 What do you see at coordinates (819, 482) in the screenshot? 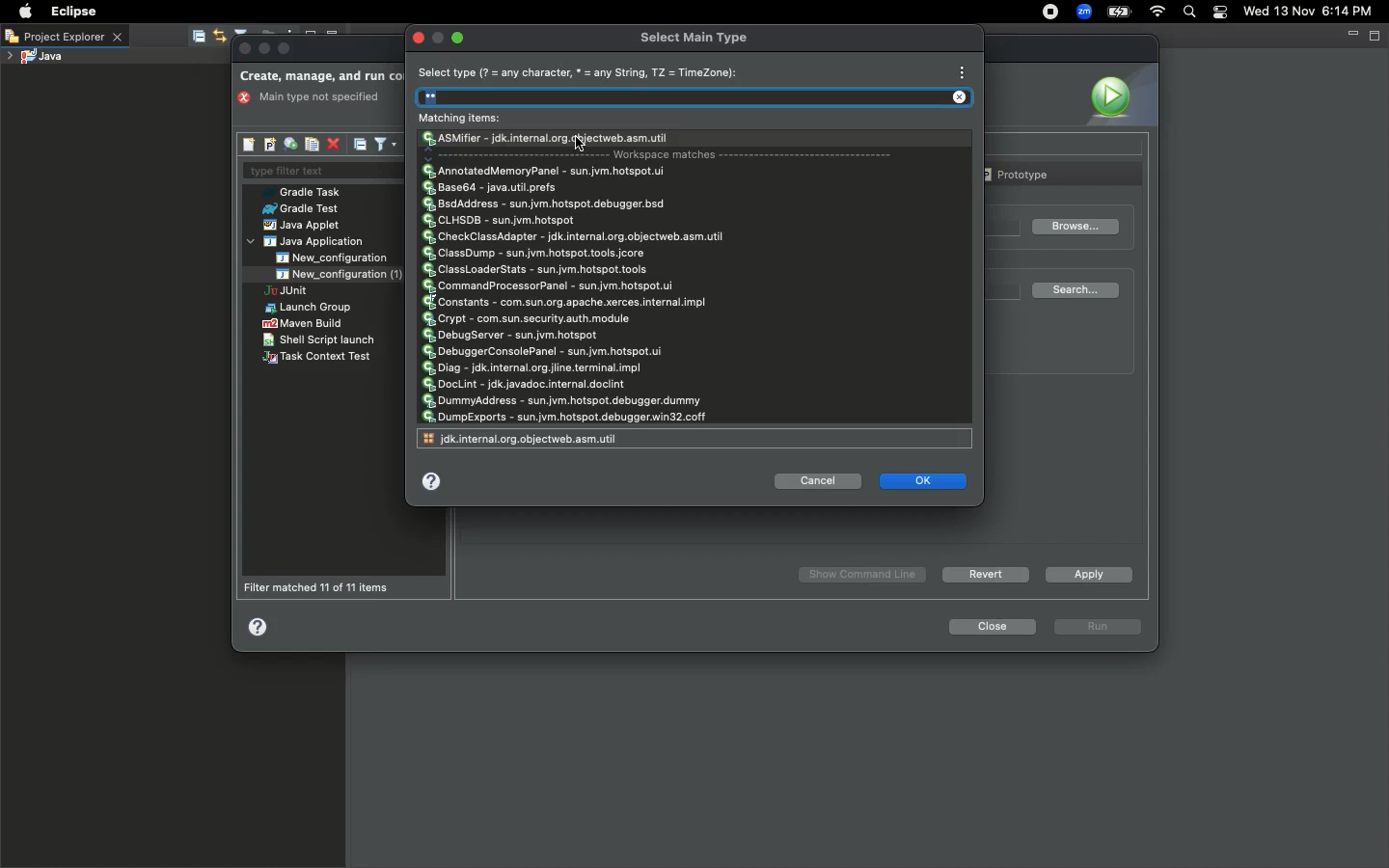
I see `Cancel` at bounding box center [819, 482].